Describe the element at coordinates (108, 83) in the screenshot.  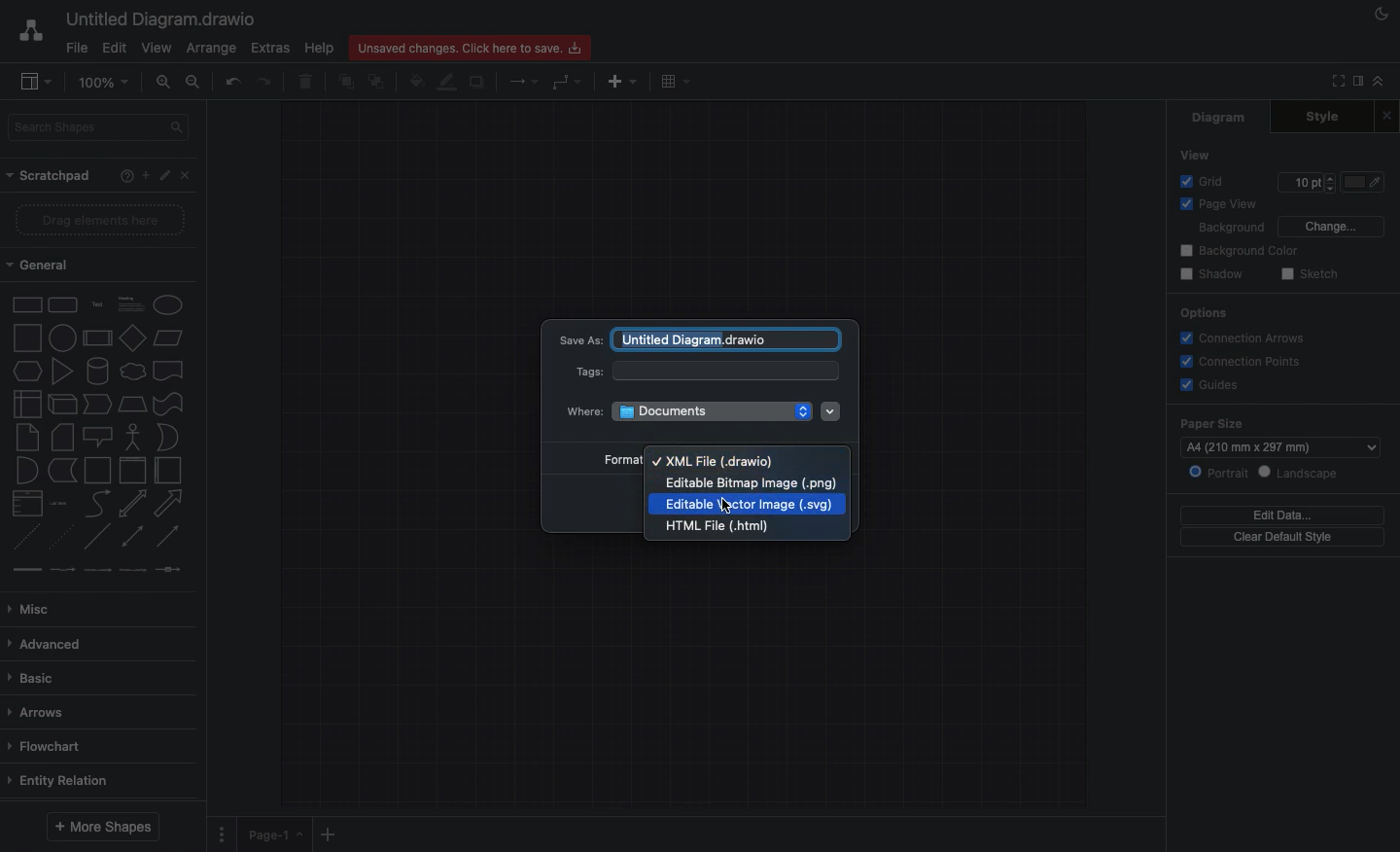
I see `100%` at that location.